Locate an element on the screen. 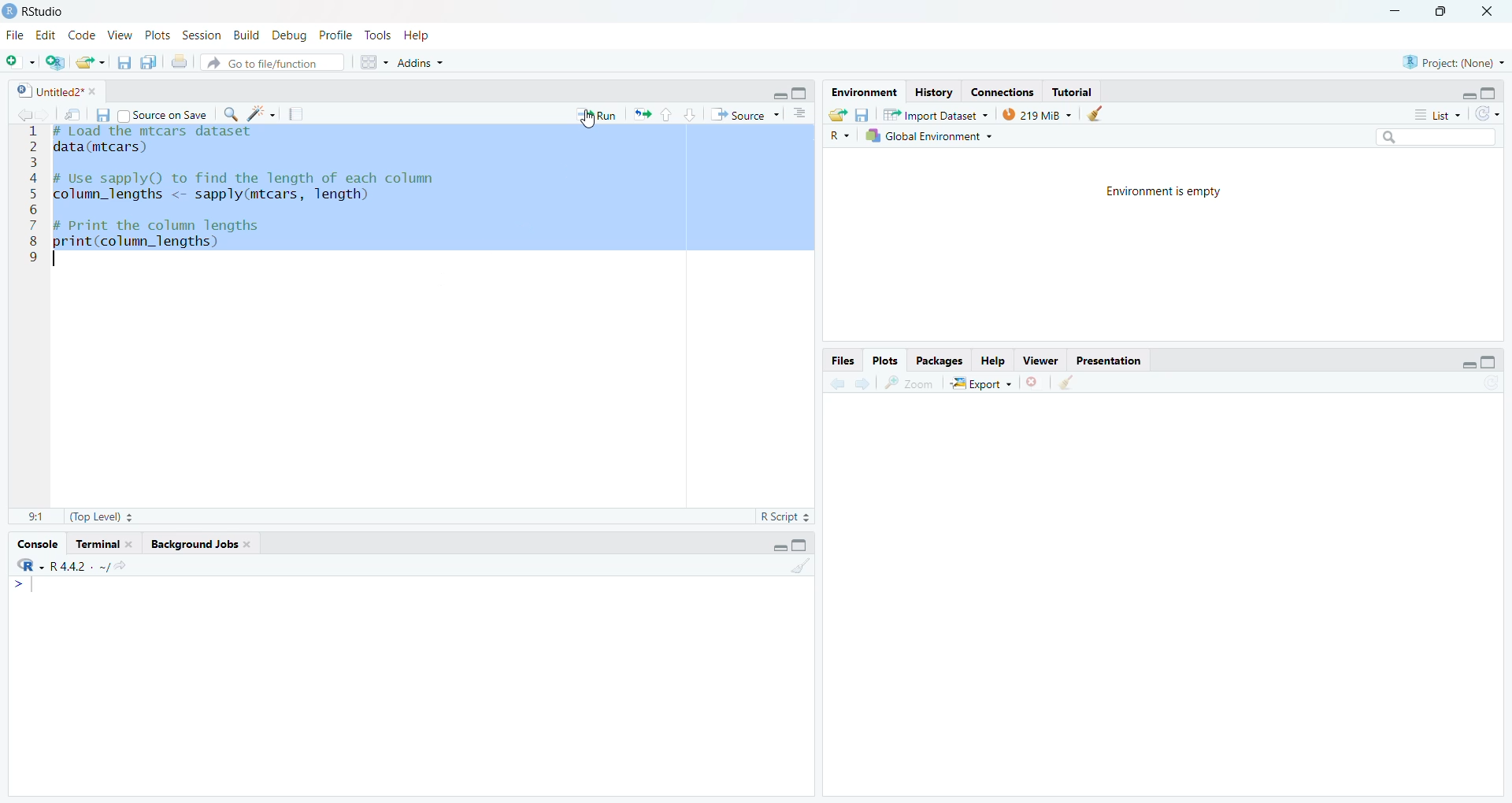  Maximize is located at coordinates (1445, 13).